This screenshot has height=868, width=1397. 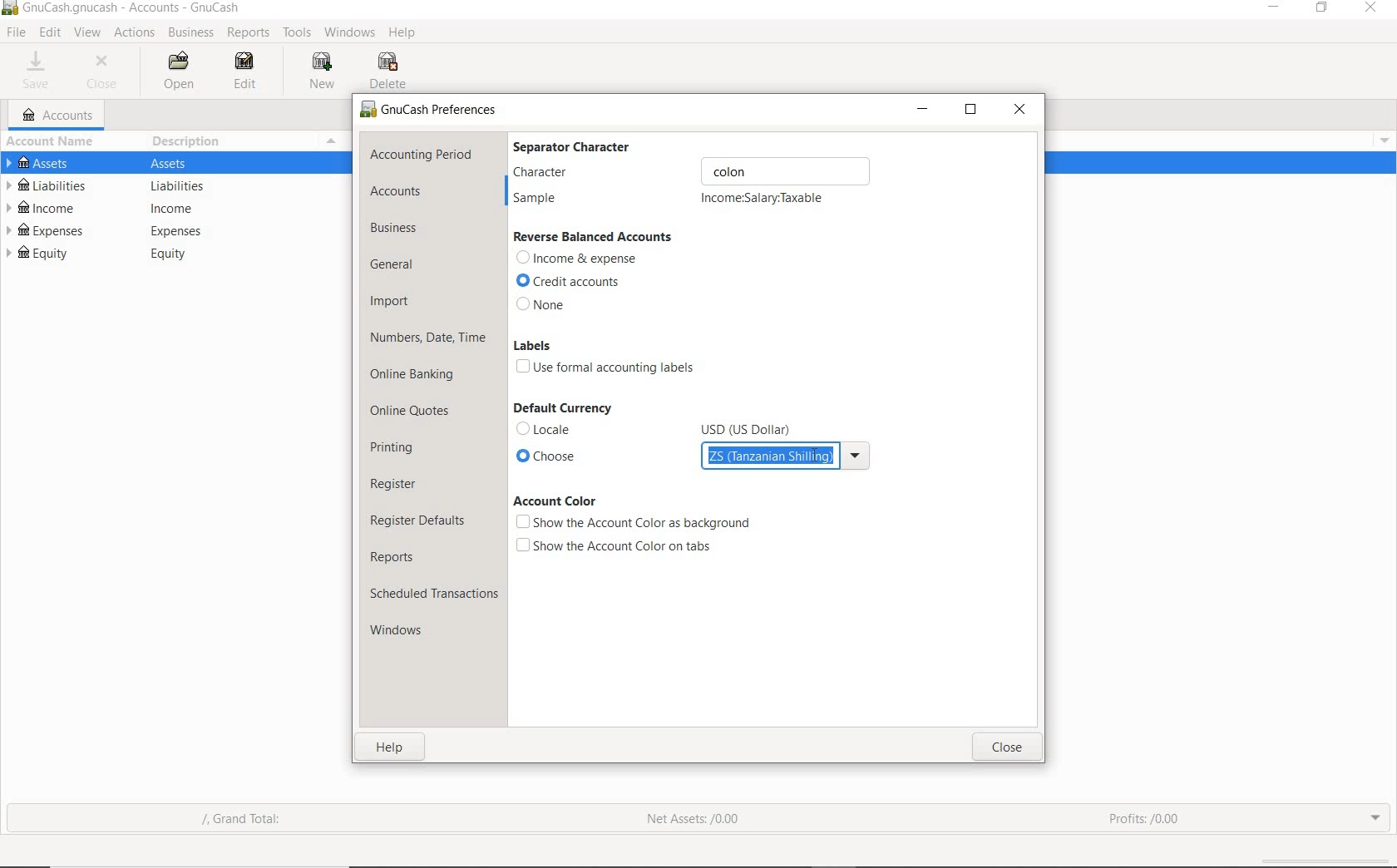 What do you see at coordinates (594, 237) in the screenshot?
I see `reverse balanced accounts` at bounding box center [594, 237].